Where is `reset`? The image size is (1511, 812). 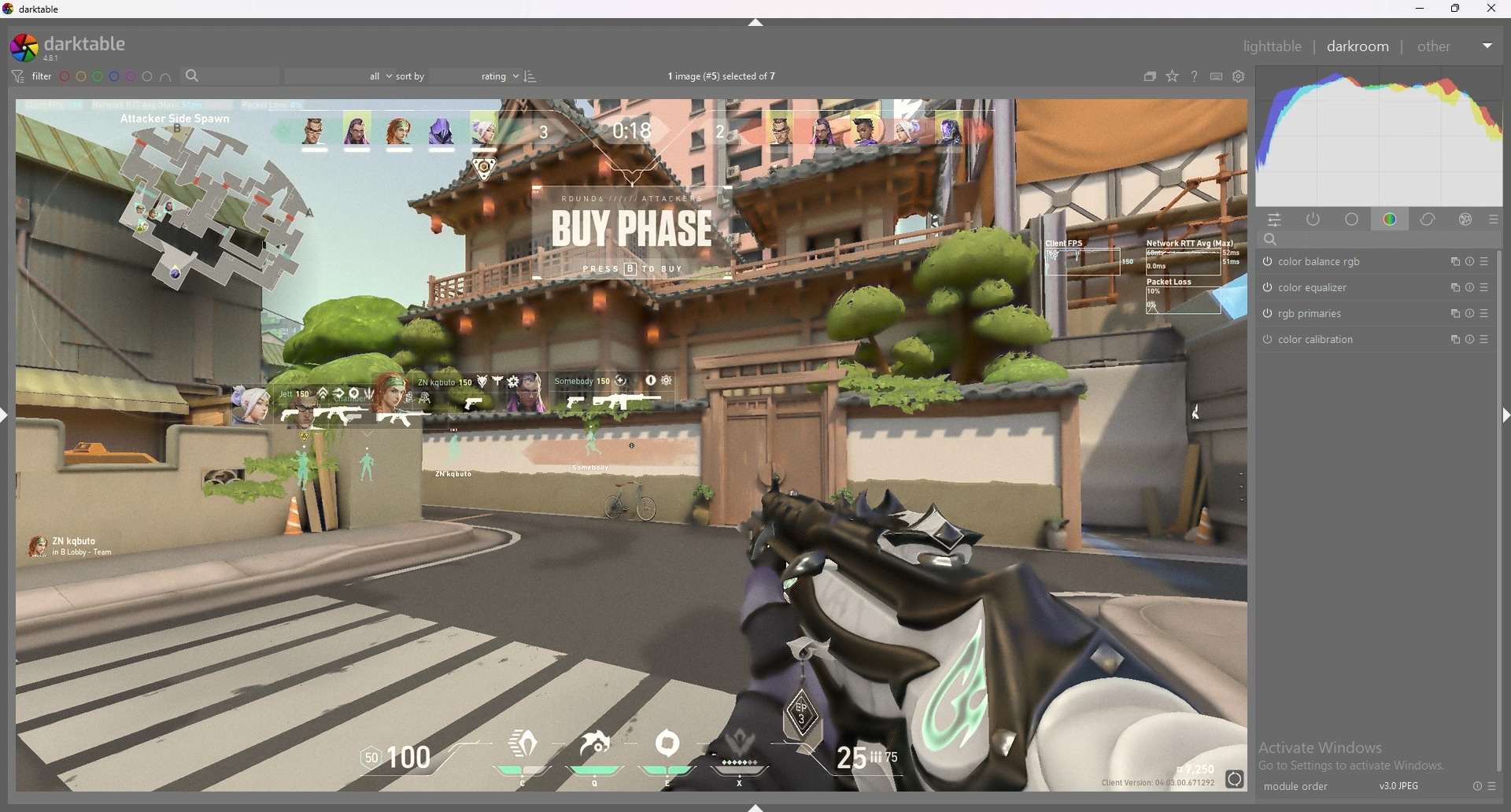 reset is located at coordinates (1469, 338).